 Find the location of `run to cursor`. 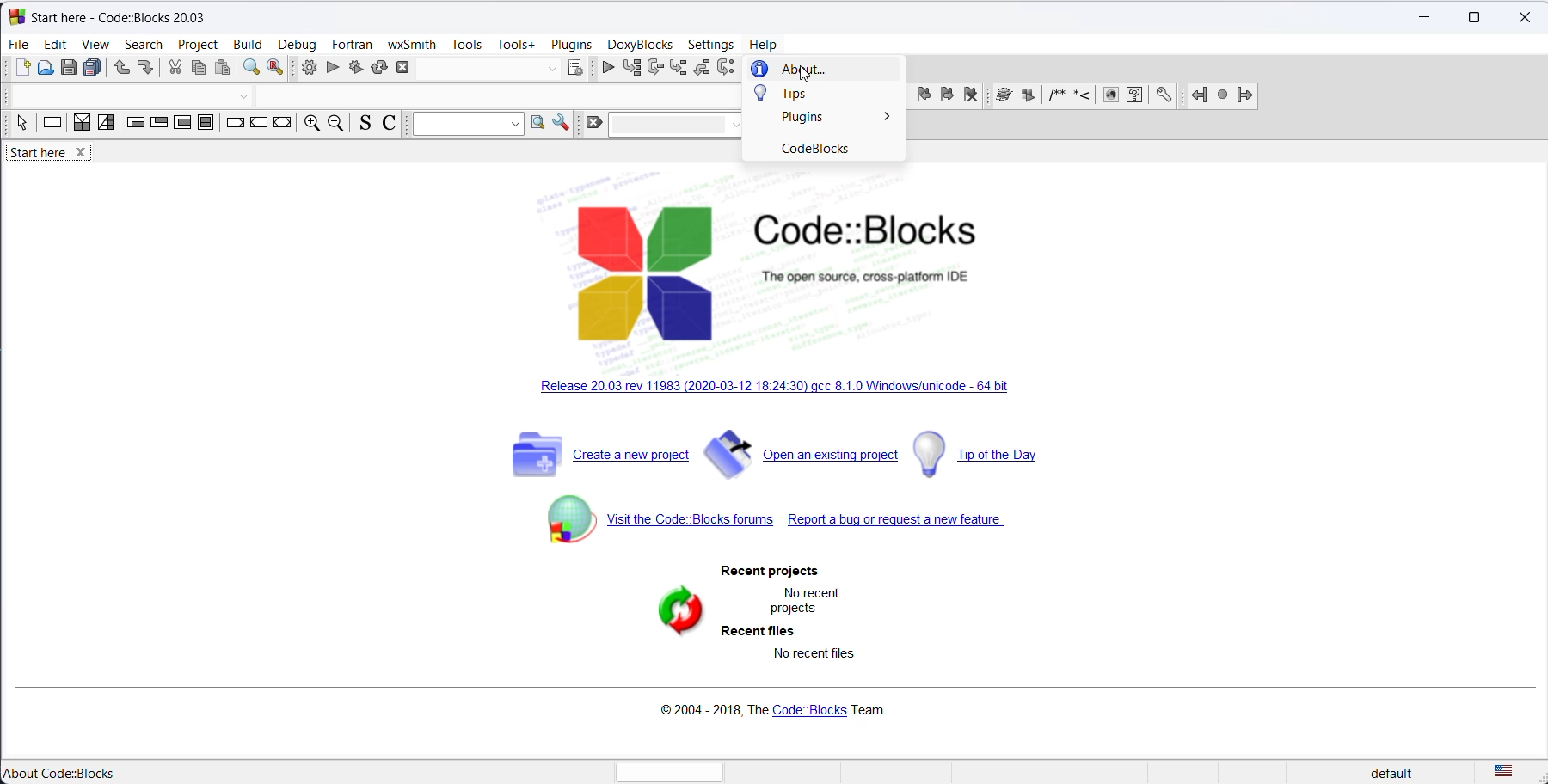

run to cursor is located at coordinates (633, 67).